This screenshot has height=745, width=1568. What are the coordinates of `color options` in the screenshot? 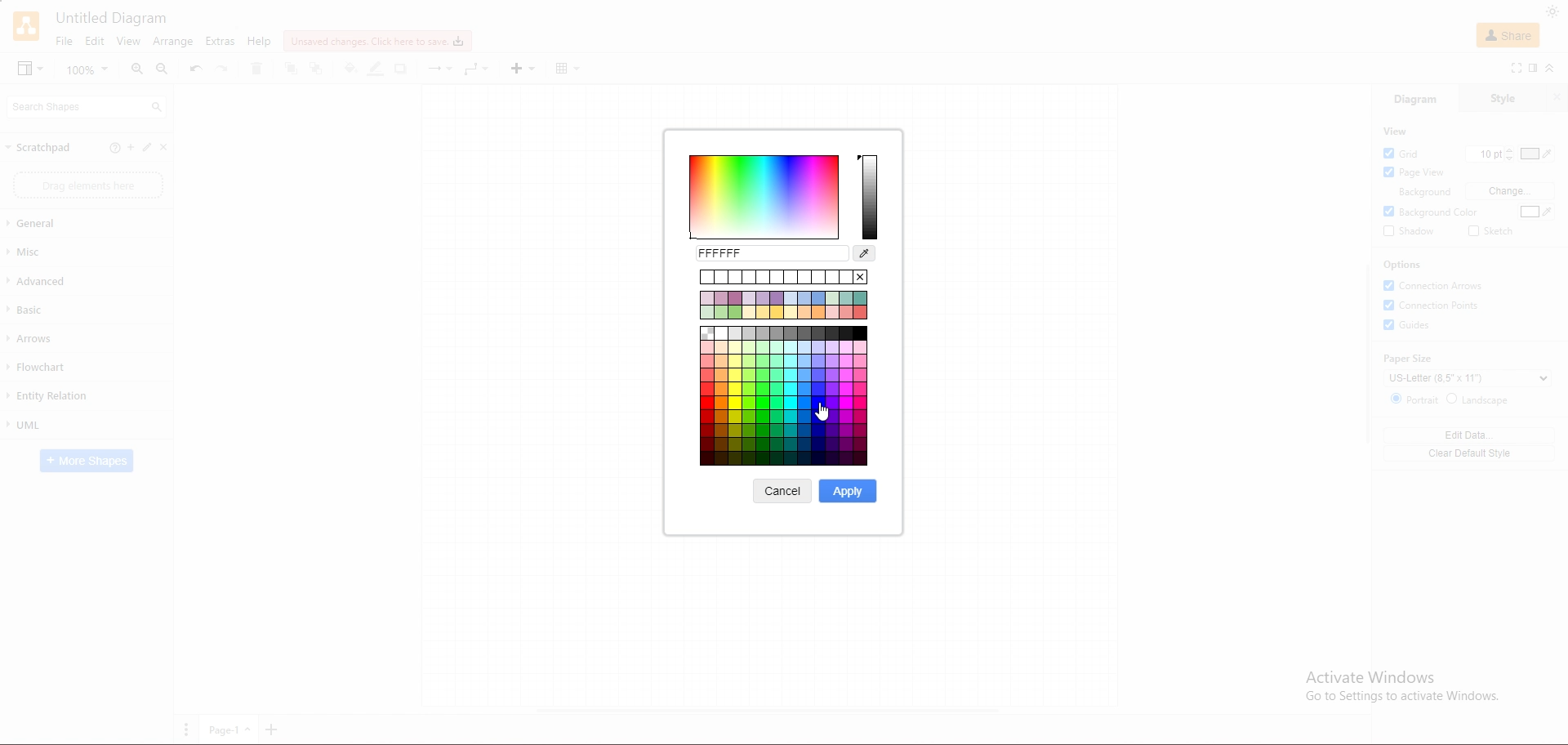 It's located at (856, 413).